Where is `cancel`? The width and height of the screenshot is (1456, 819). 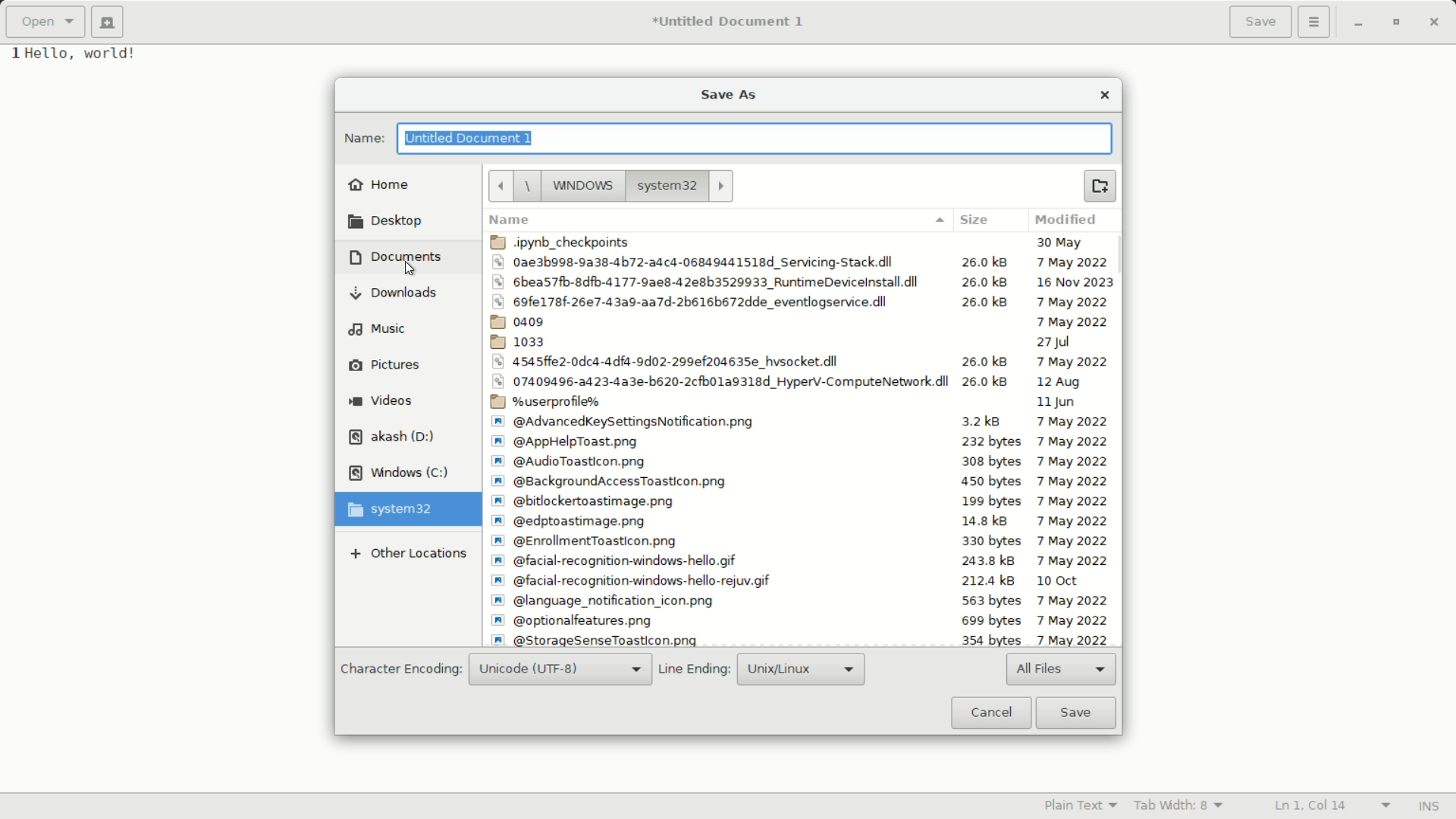
cancel is located at coordinates (990, 713).